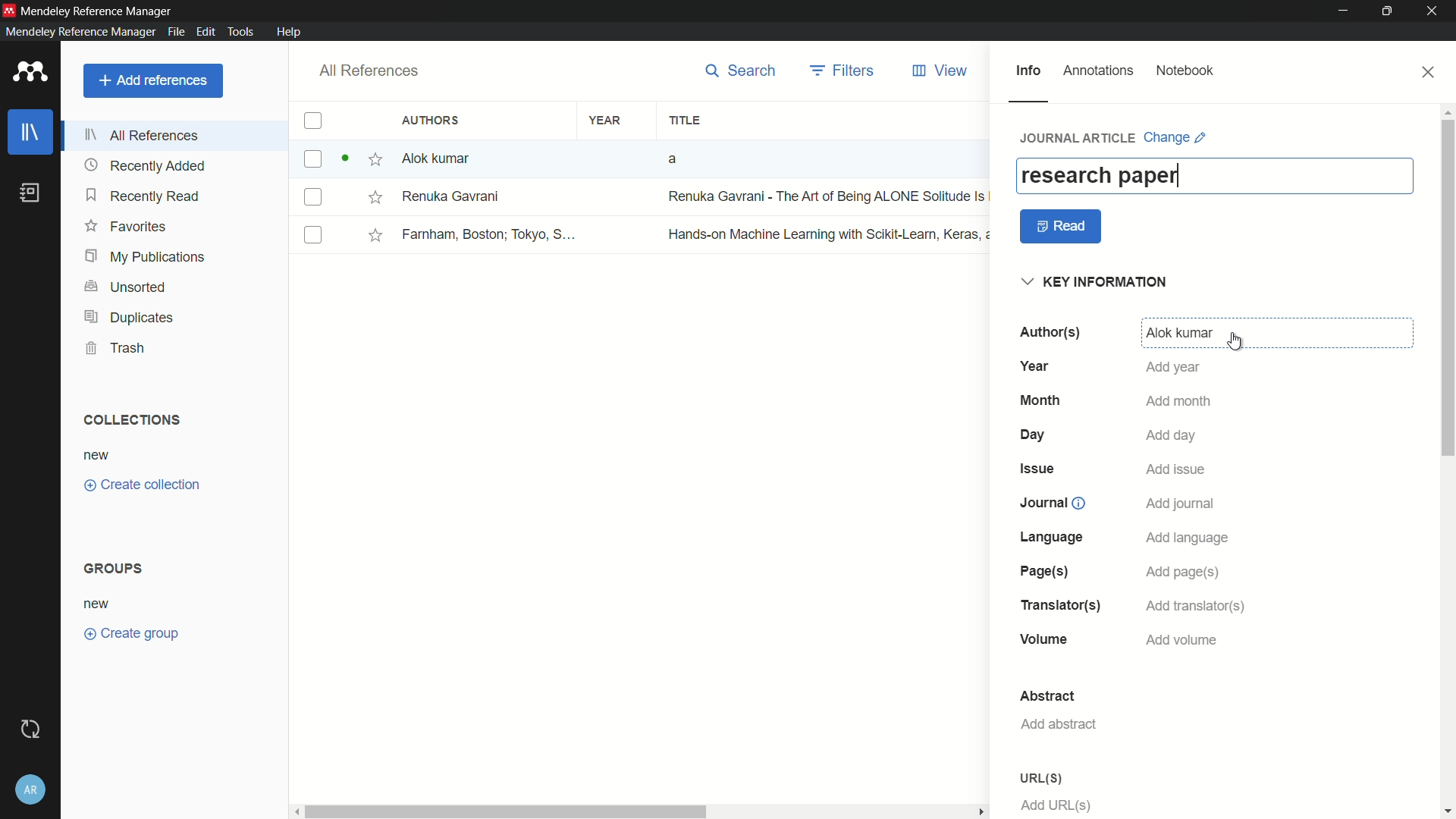  What do you see at coordinates (1047, 696) in the screenshot?
I see `abstract` at bounding box center [1047, 696].